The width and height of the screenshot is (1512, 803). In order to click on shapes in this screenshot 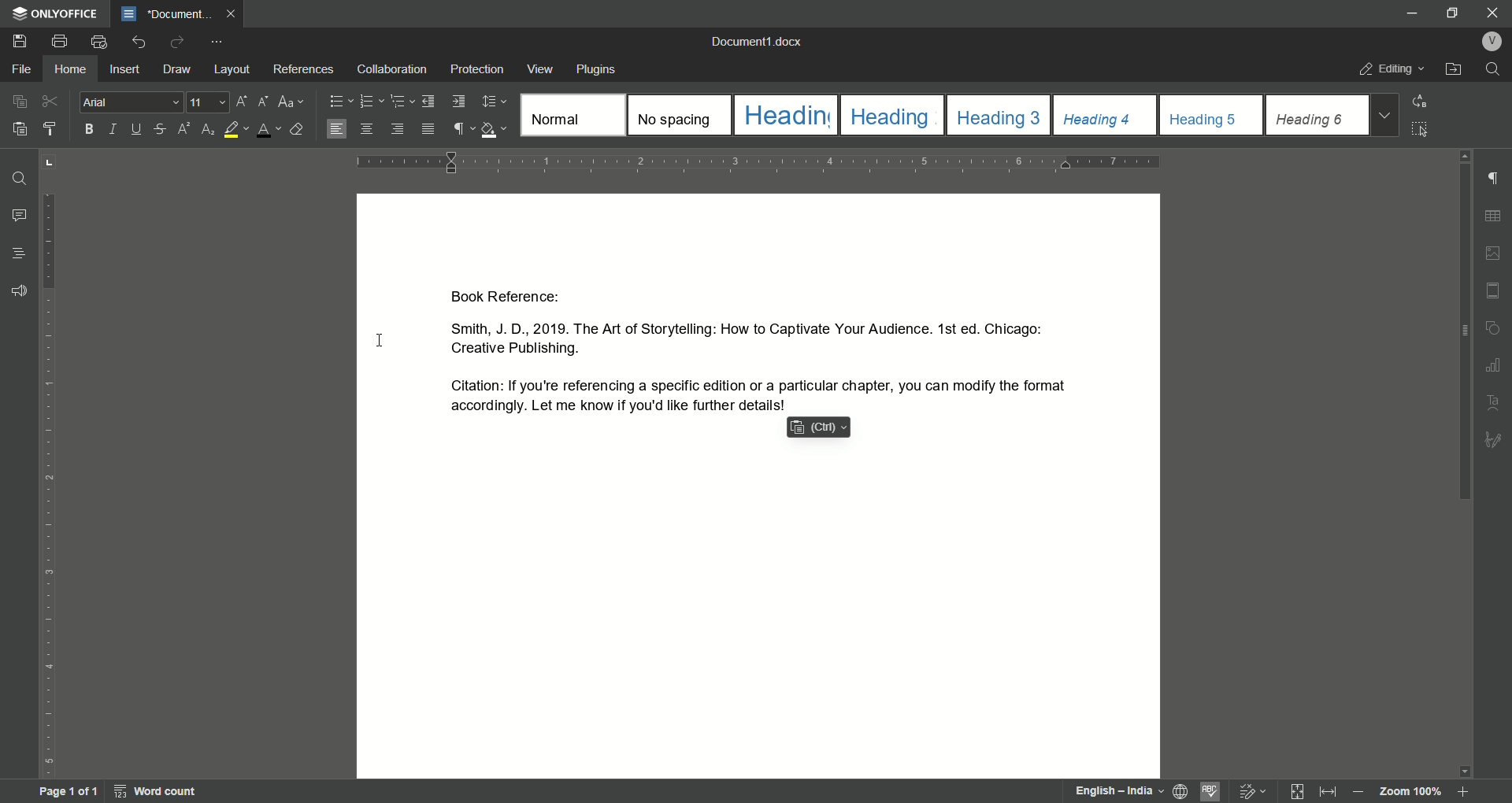, I will do `click(1496, 325)`.